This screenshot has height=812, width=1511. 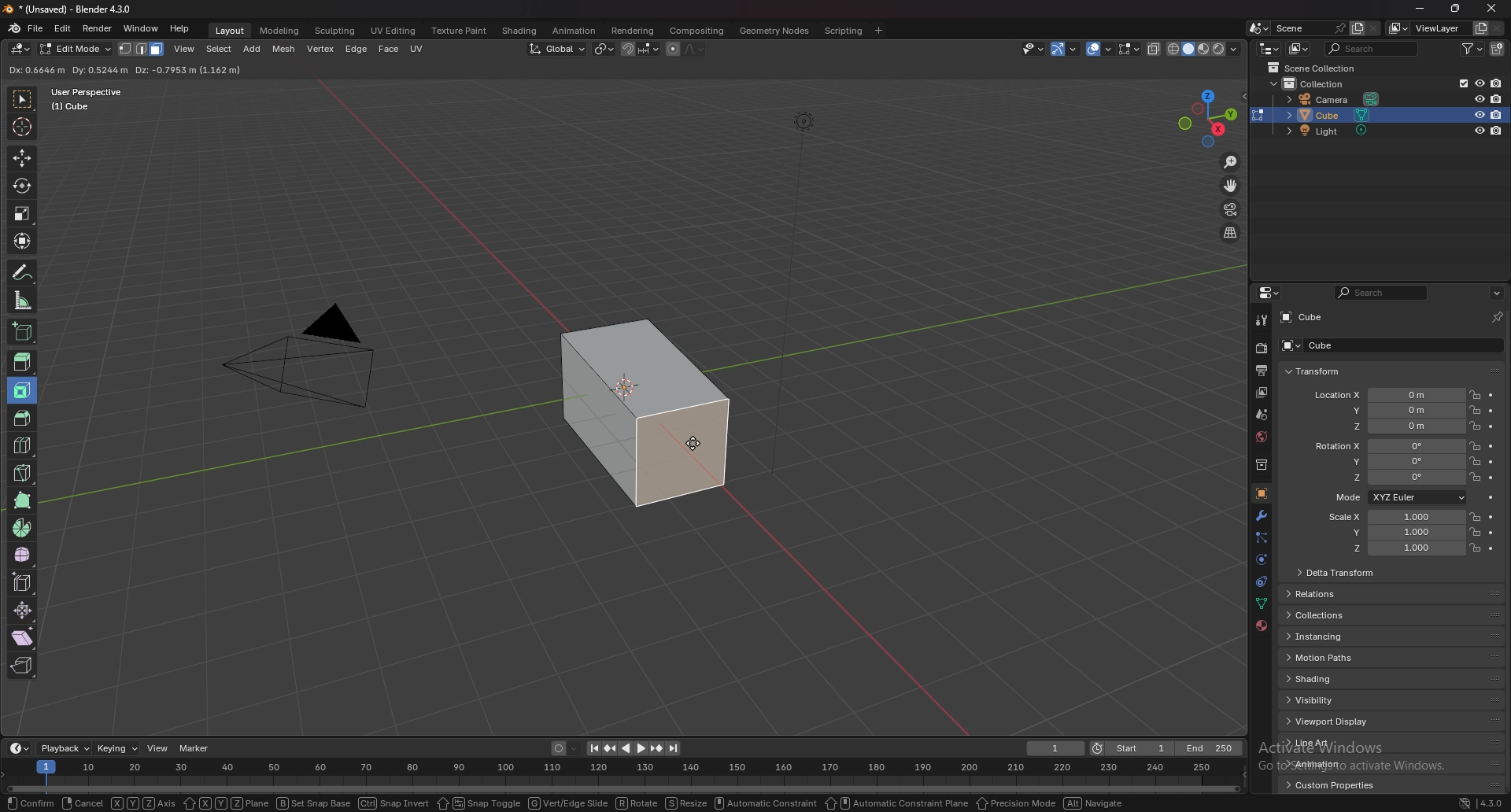 I want to click on show overlays, so click(x=1100, y=49).